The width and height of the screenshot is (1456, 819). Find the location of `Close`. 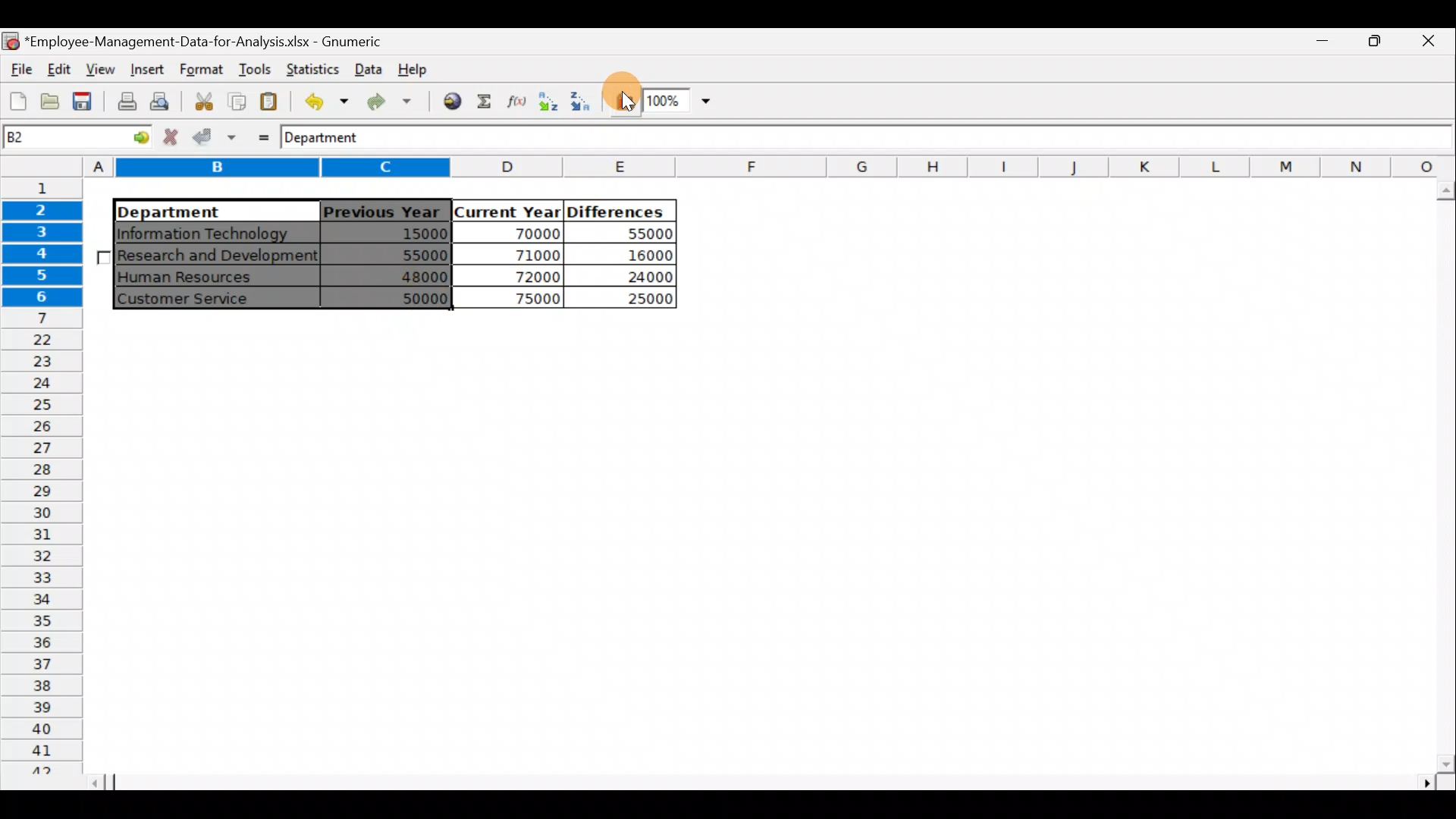

Close is located at coordinates (1429, 43).